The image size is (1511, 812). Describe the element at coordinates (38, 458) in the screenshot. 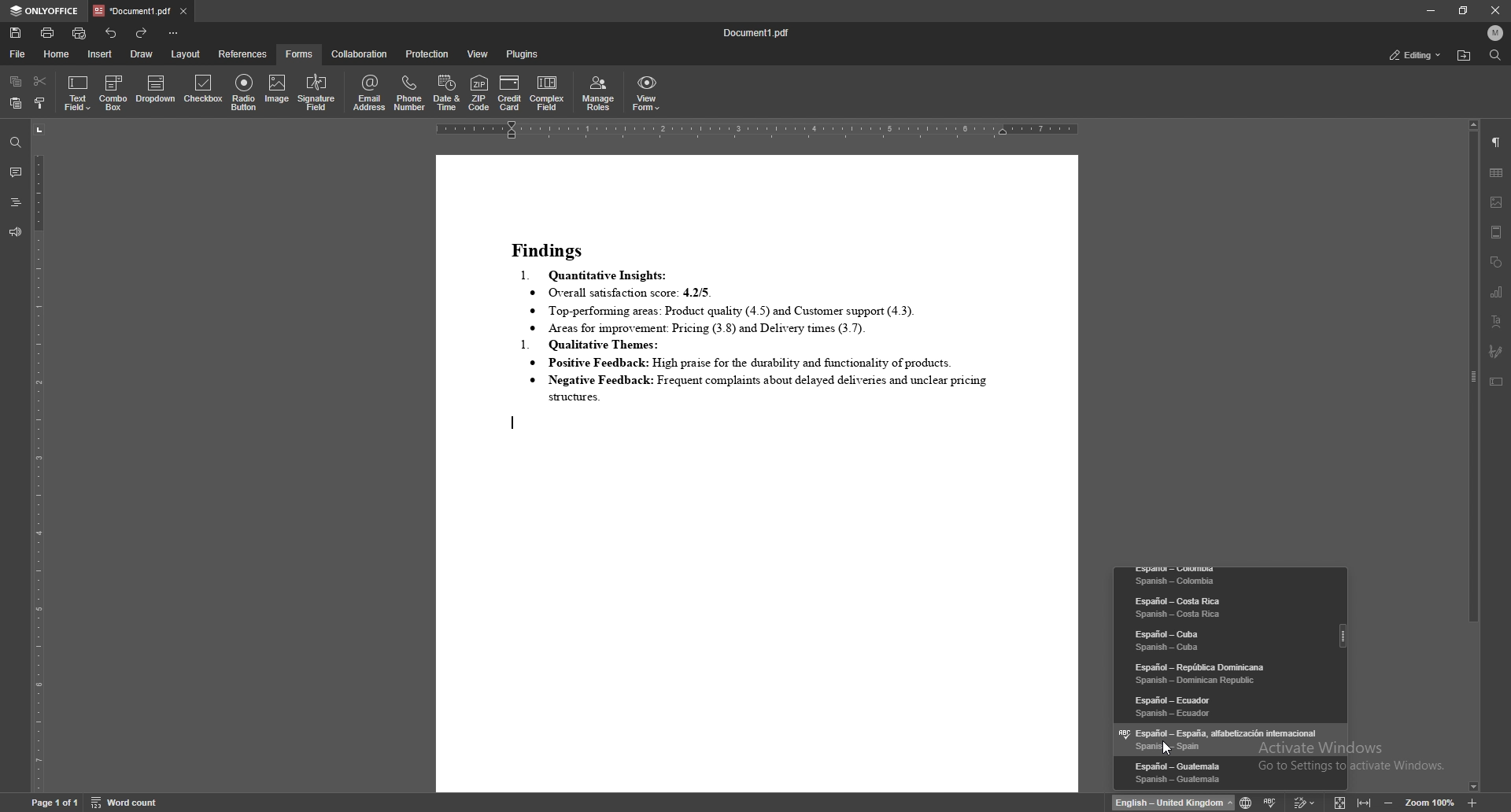

I see `vertical scale` at that location.